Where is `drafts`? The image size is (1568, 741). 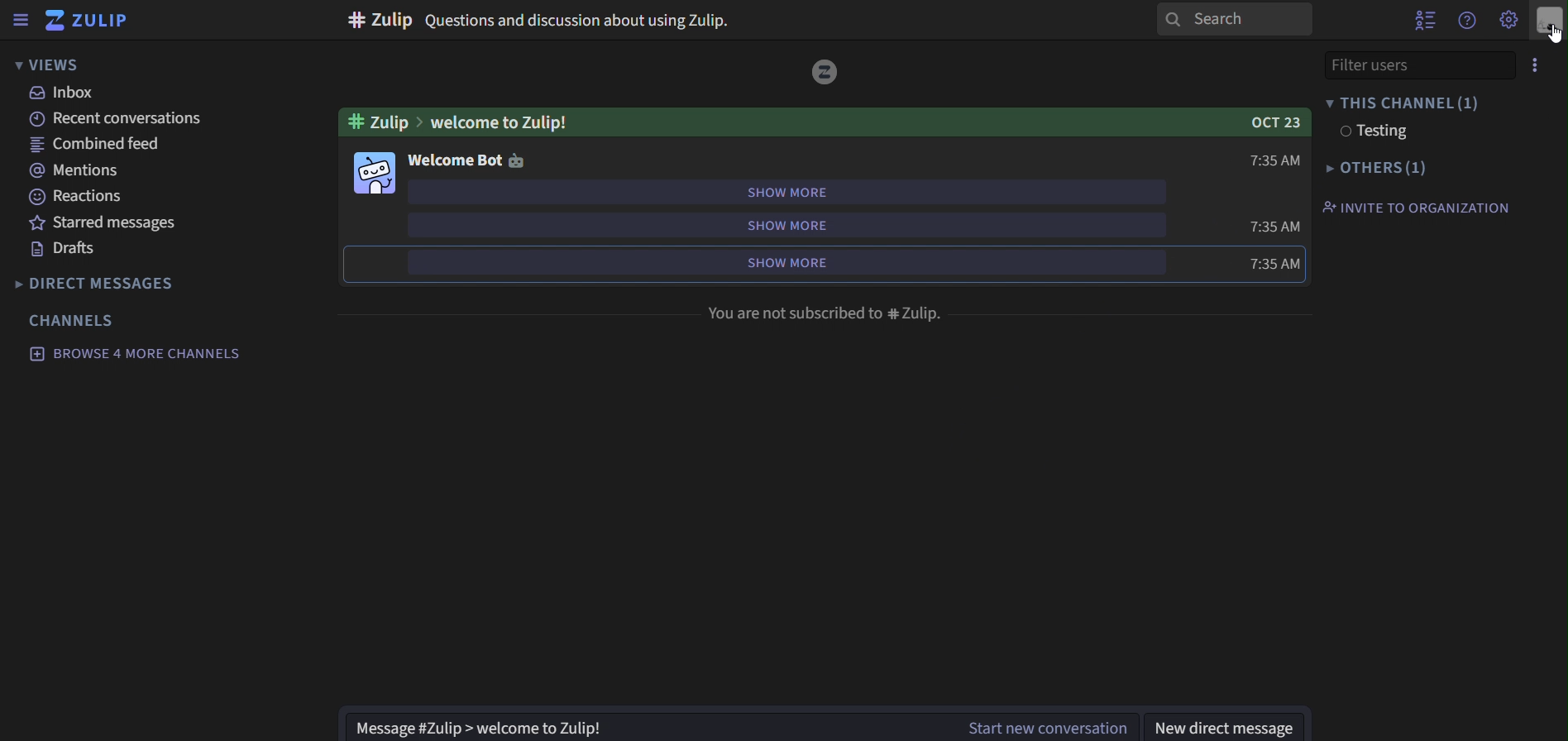 drafts is located at coordinates (69, 250).